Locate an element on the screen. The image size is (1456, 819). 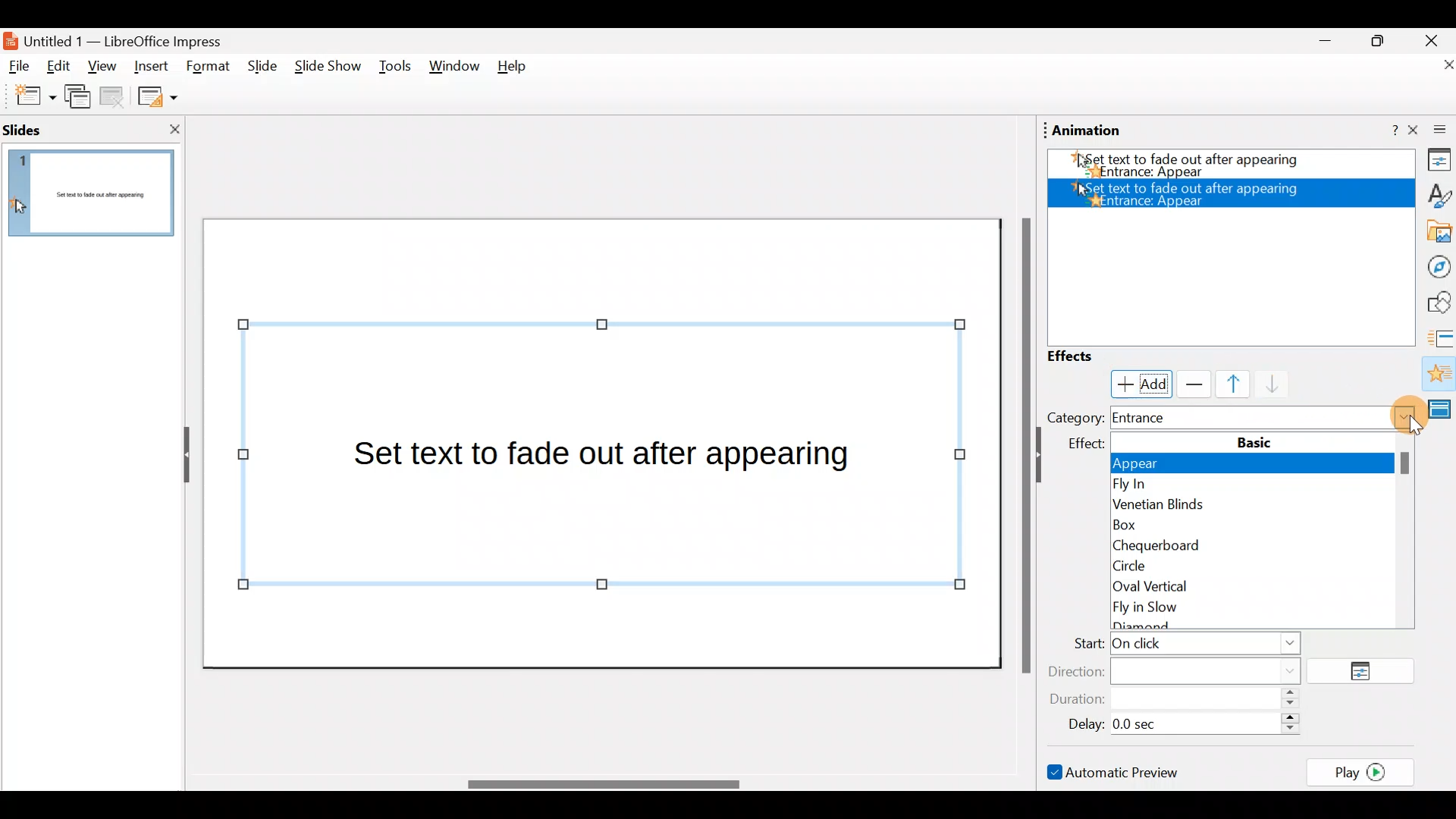
Slide layout is located at coordinates (156, 96).